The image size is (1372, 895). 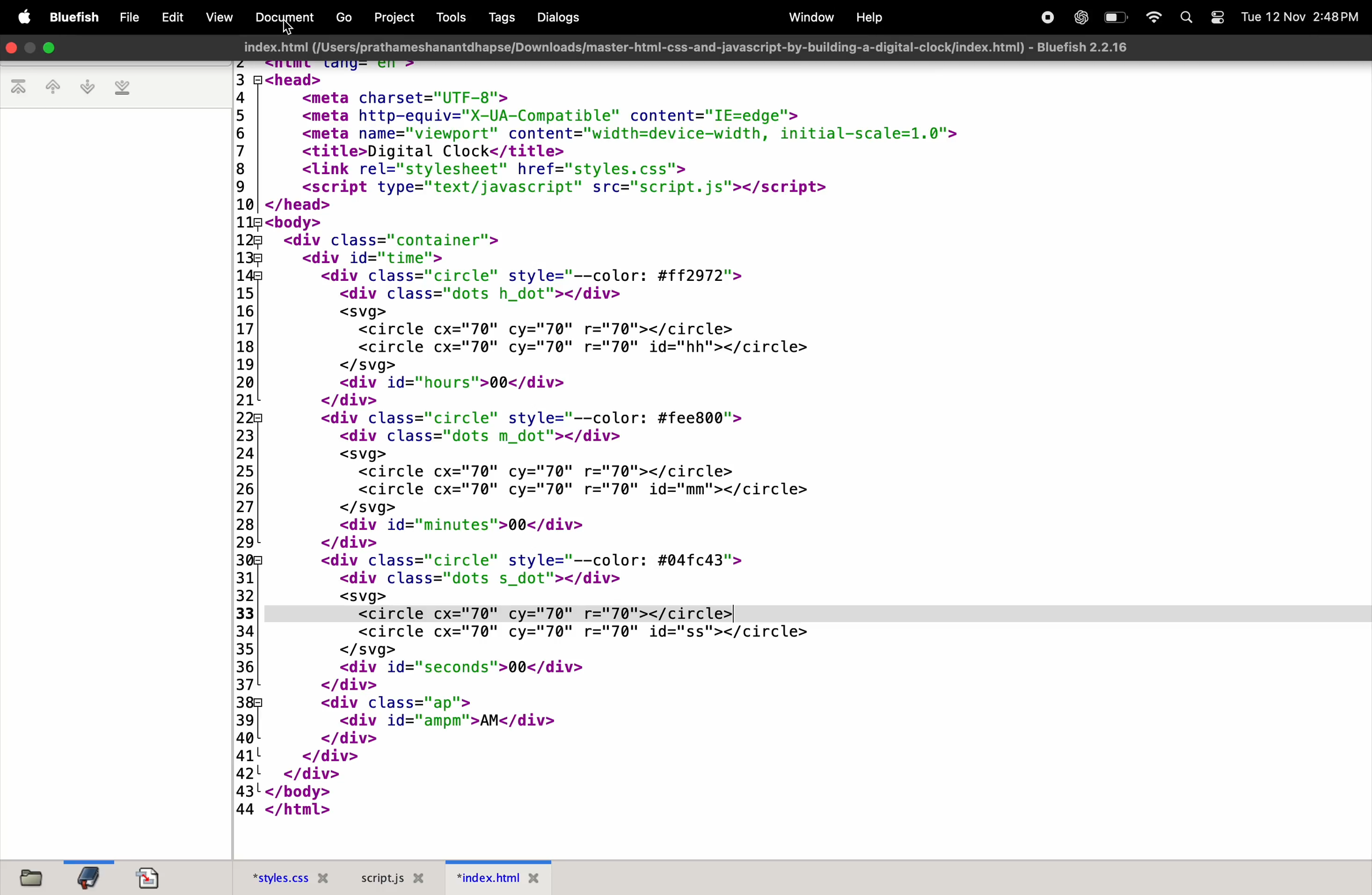 What do you see at coordinates (89, 87) in the screenshot?
I see `next bookmark` at bounding box center [89, 87].